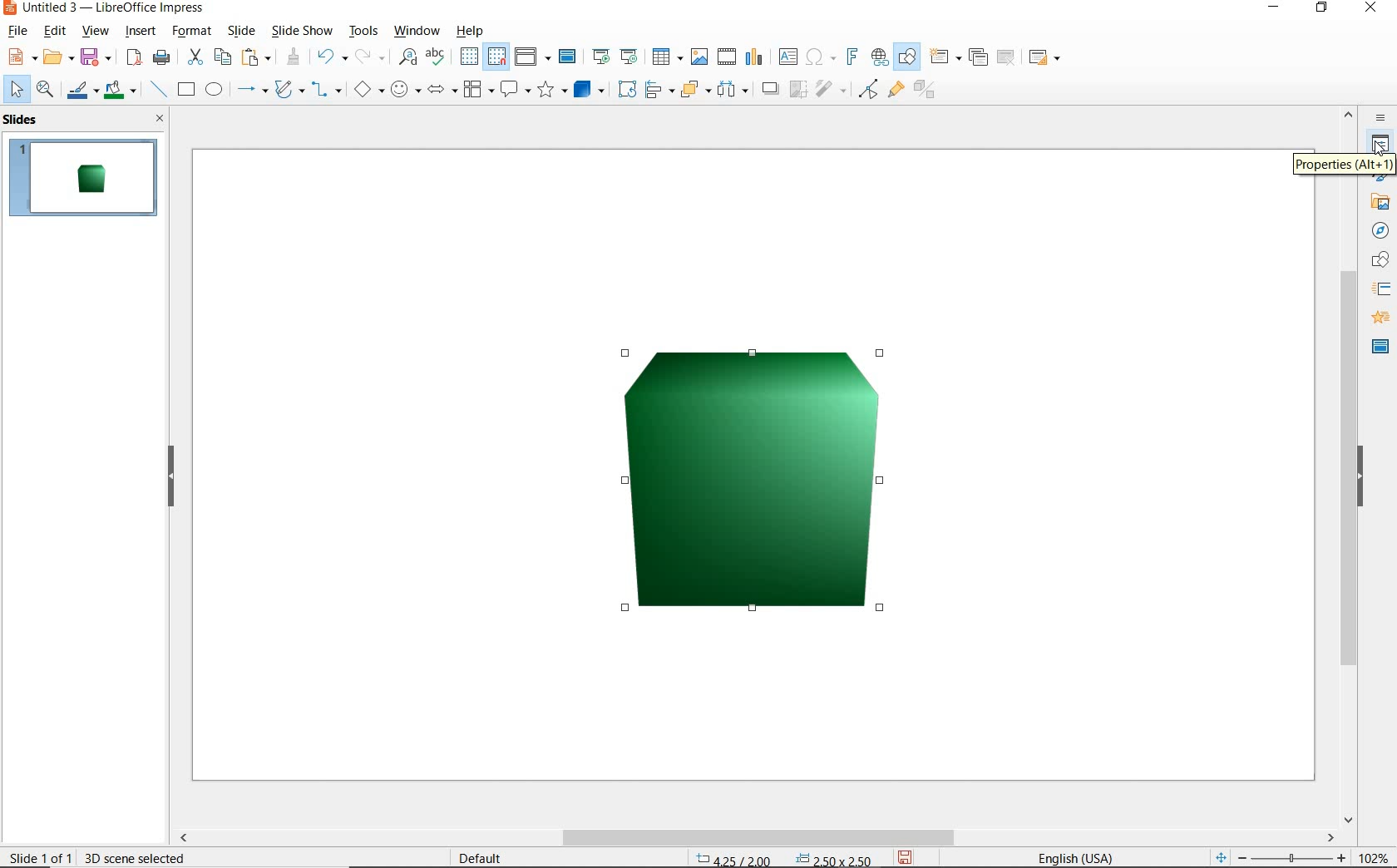 This screenshot has height=868, width=1397. What do you see at coordinates (440, 57) in the screenshot?
I see `spelling` at bounding box center [440, 57].